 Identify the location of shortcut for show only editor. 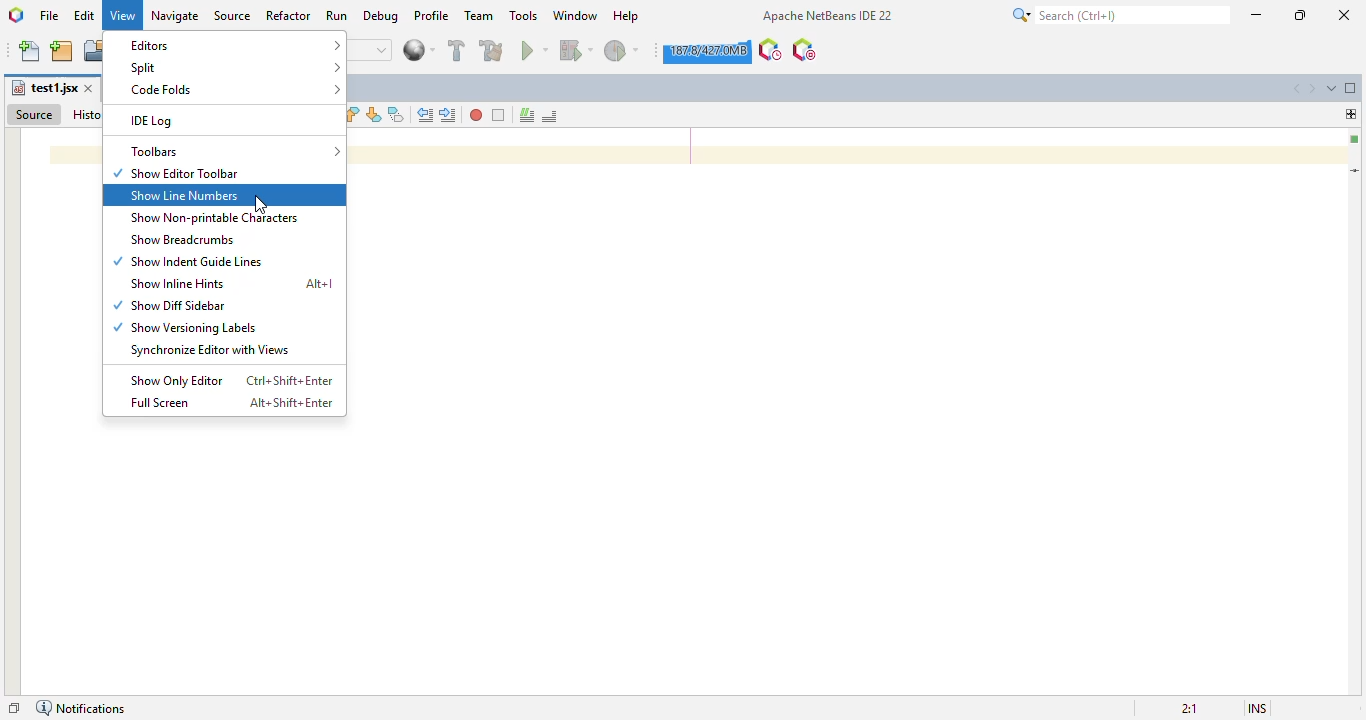
(289, 380).